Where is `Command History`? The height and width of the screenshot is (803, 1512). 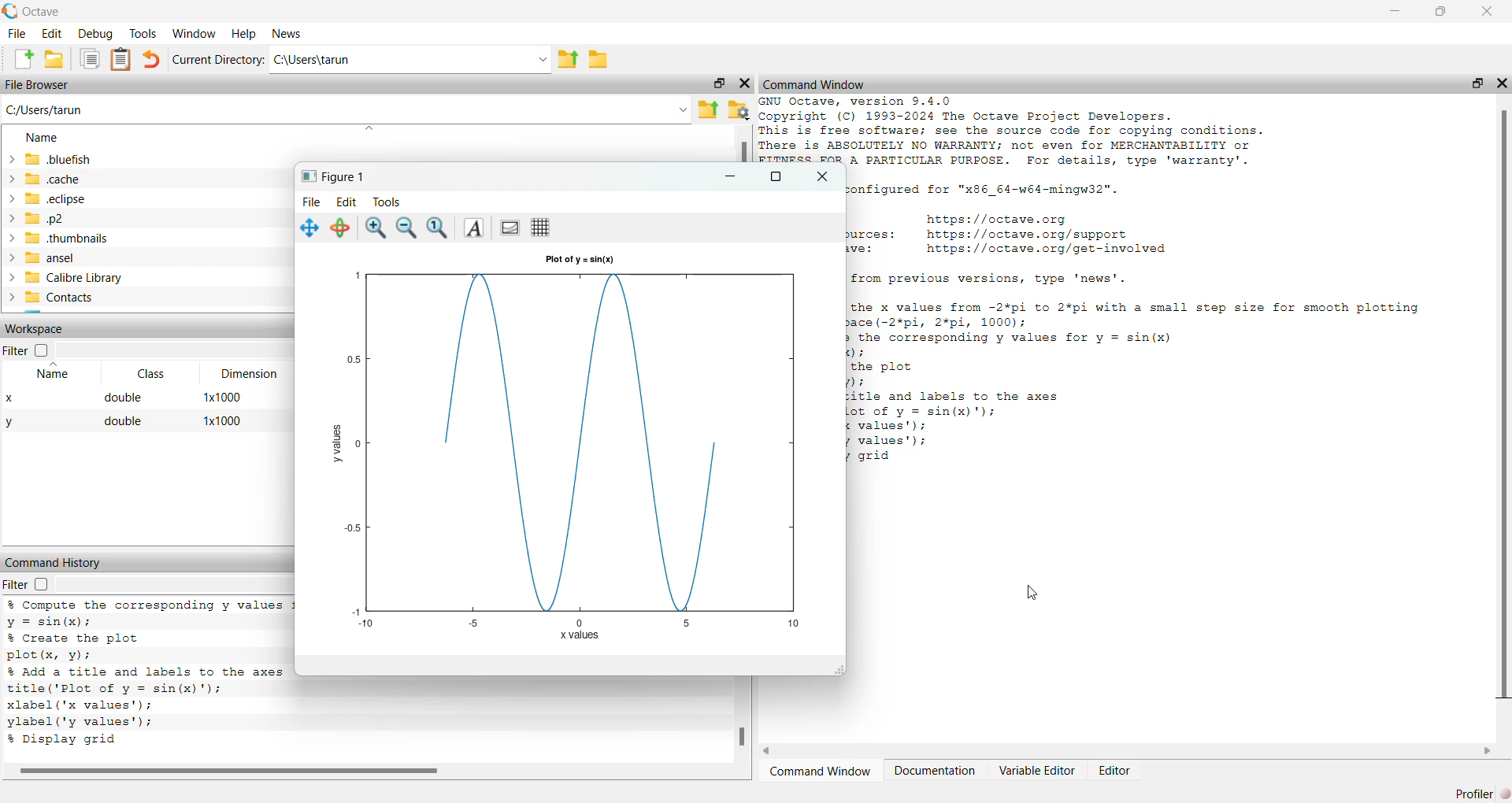 Command History is located at coordinates (57, 562).